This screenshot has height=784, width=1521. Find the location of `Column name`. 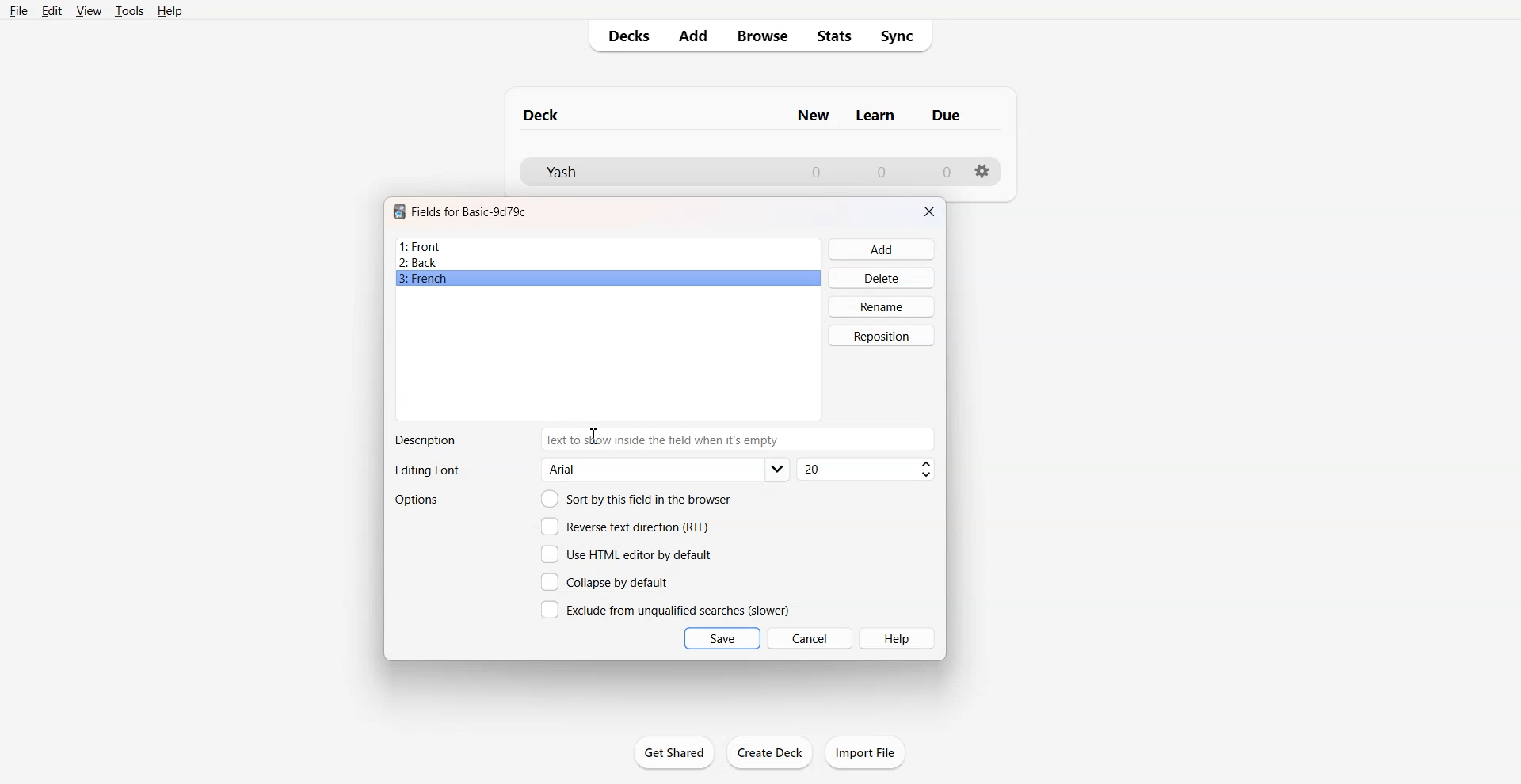

Column name is located at coordinates (875, 116).